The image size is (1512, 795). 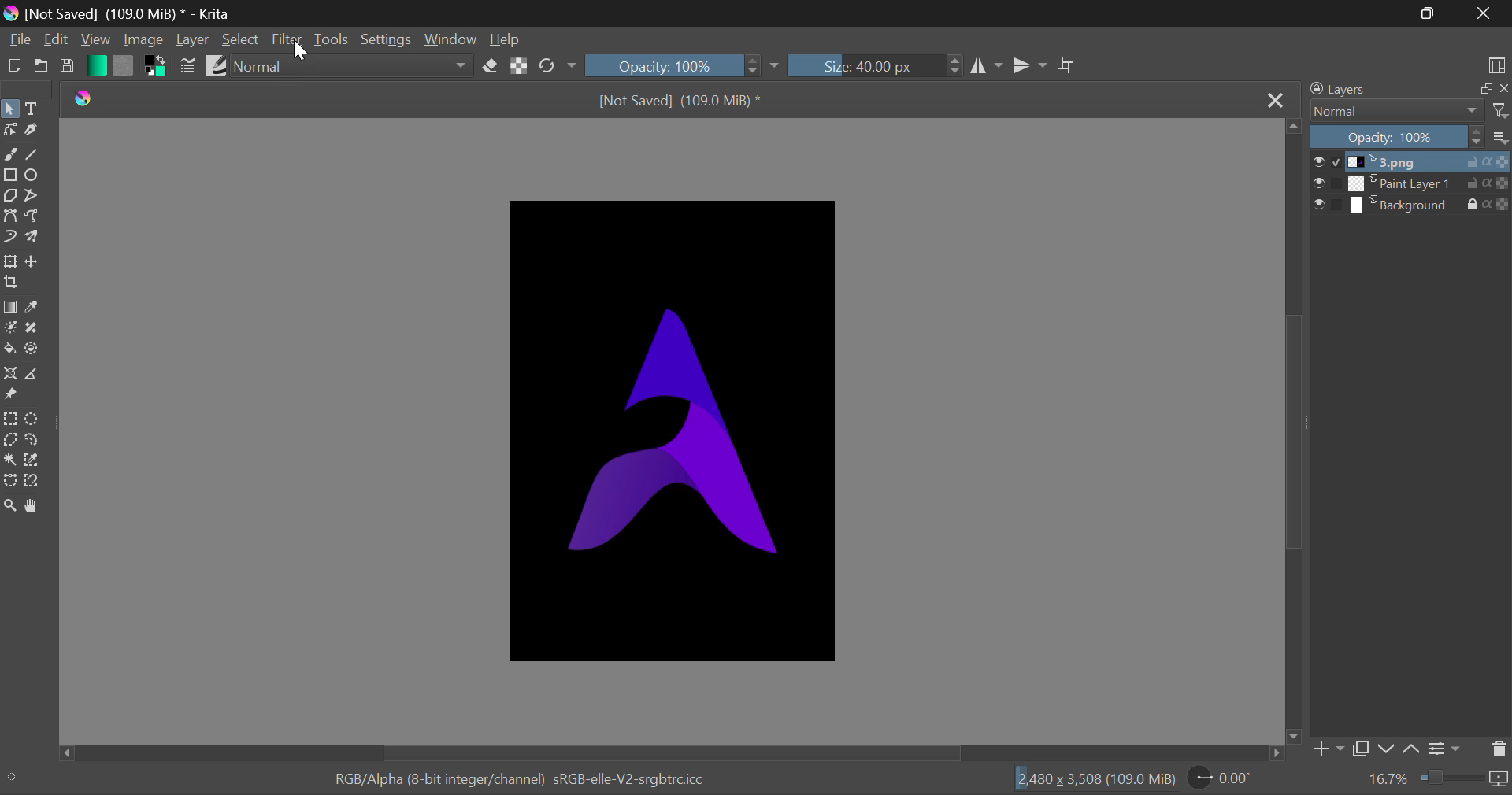 I want to click on Move Layer Down, so click(x=1386, y=749).